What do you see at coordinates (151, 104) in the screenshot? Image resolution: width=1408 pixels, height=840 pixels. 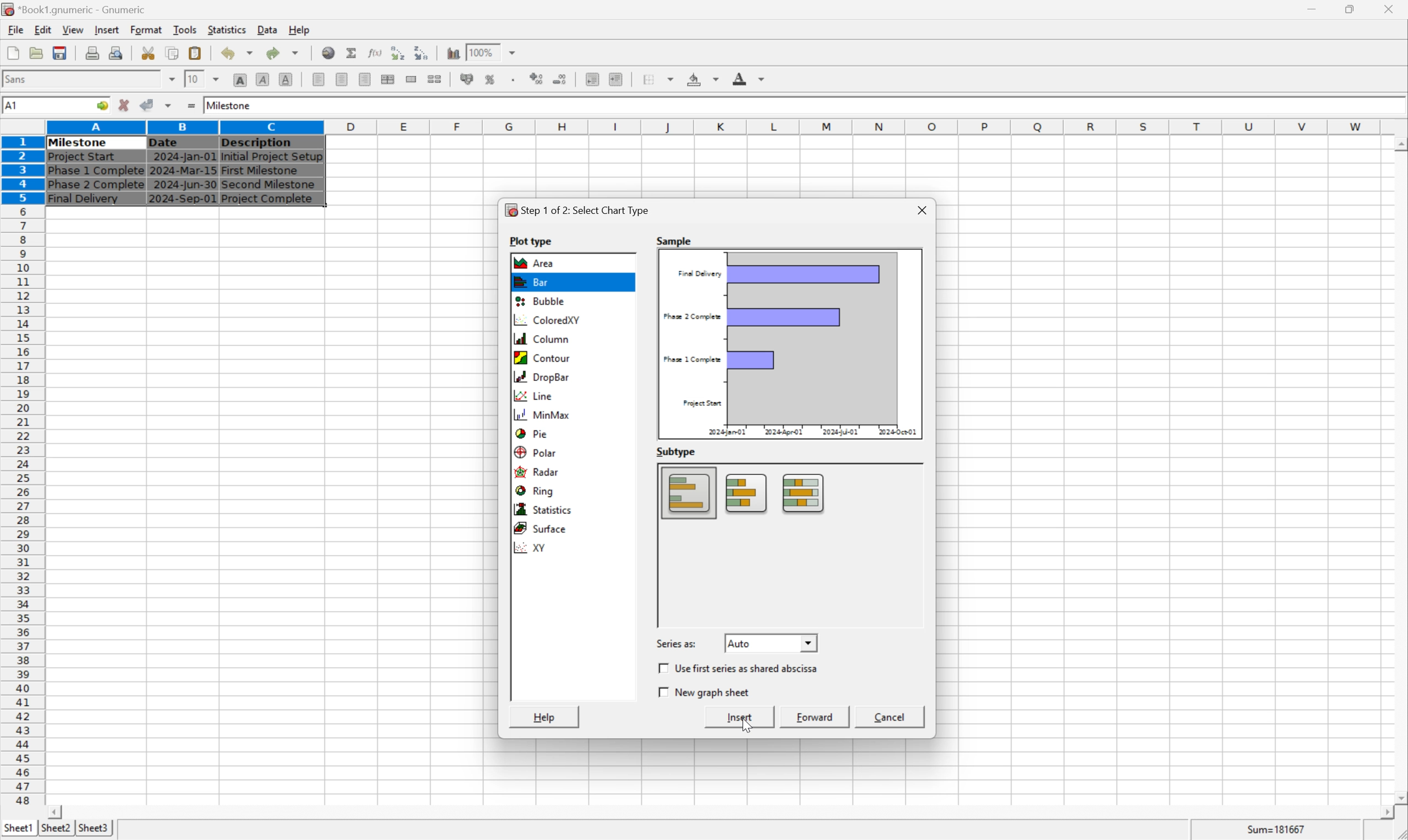 I see `accept changes` at bounding box center [151, 104].